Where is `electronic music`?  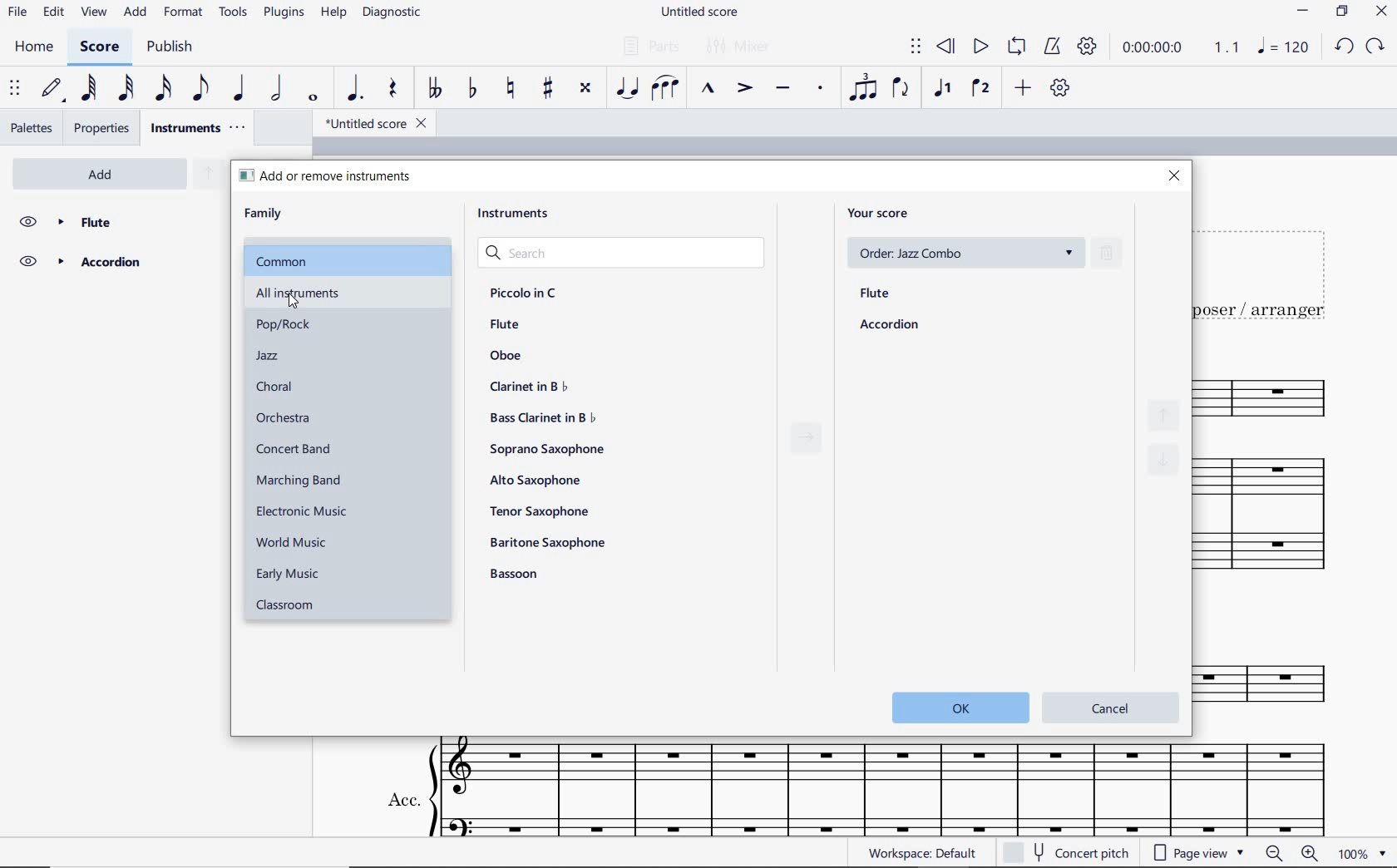 electronic music is located at coordinates (308, 510).